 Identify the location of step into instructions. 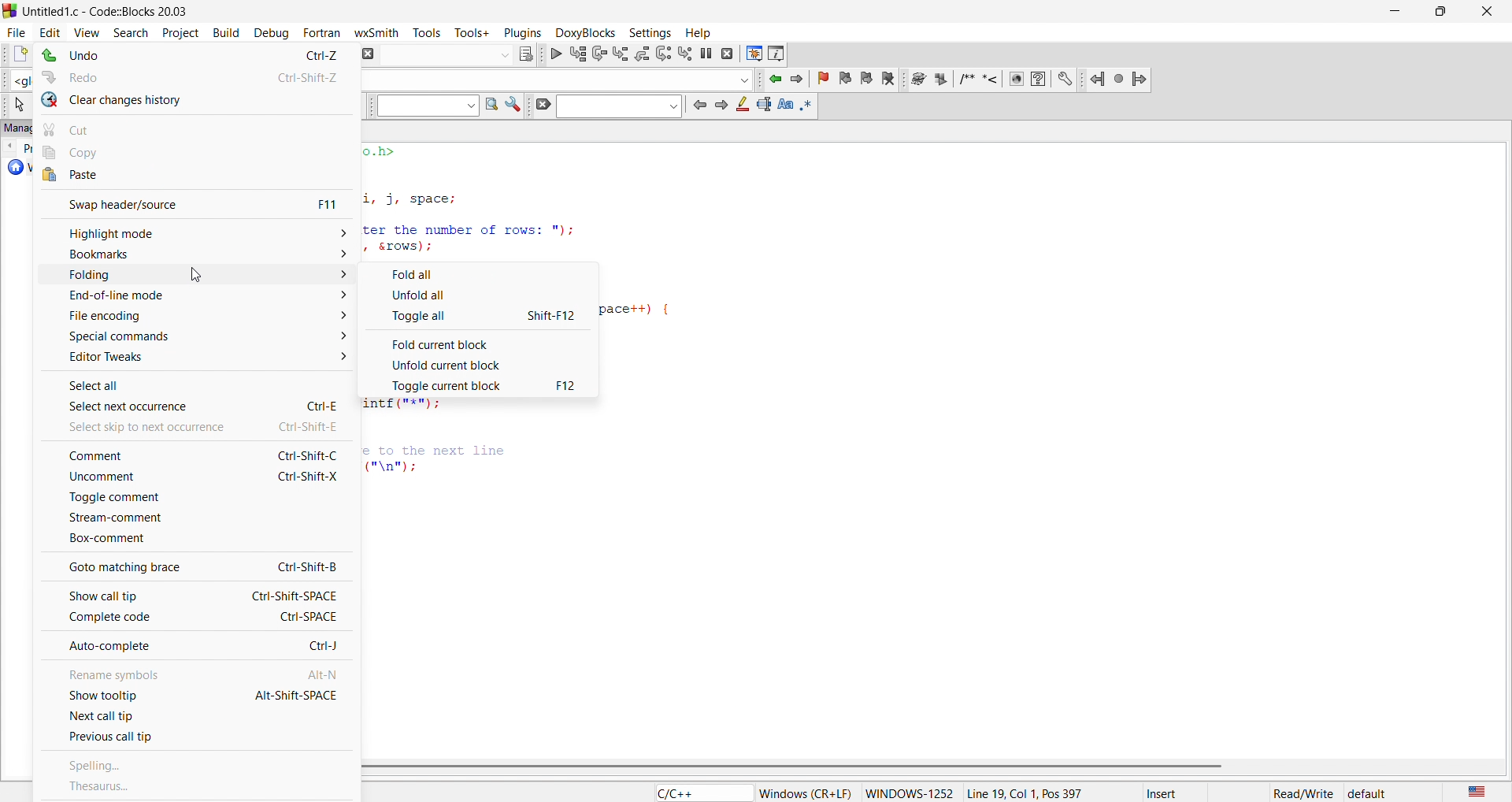
(686, 53).